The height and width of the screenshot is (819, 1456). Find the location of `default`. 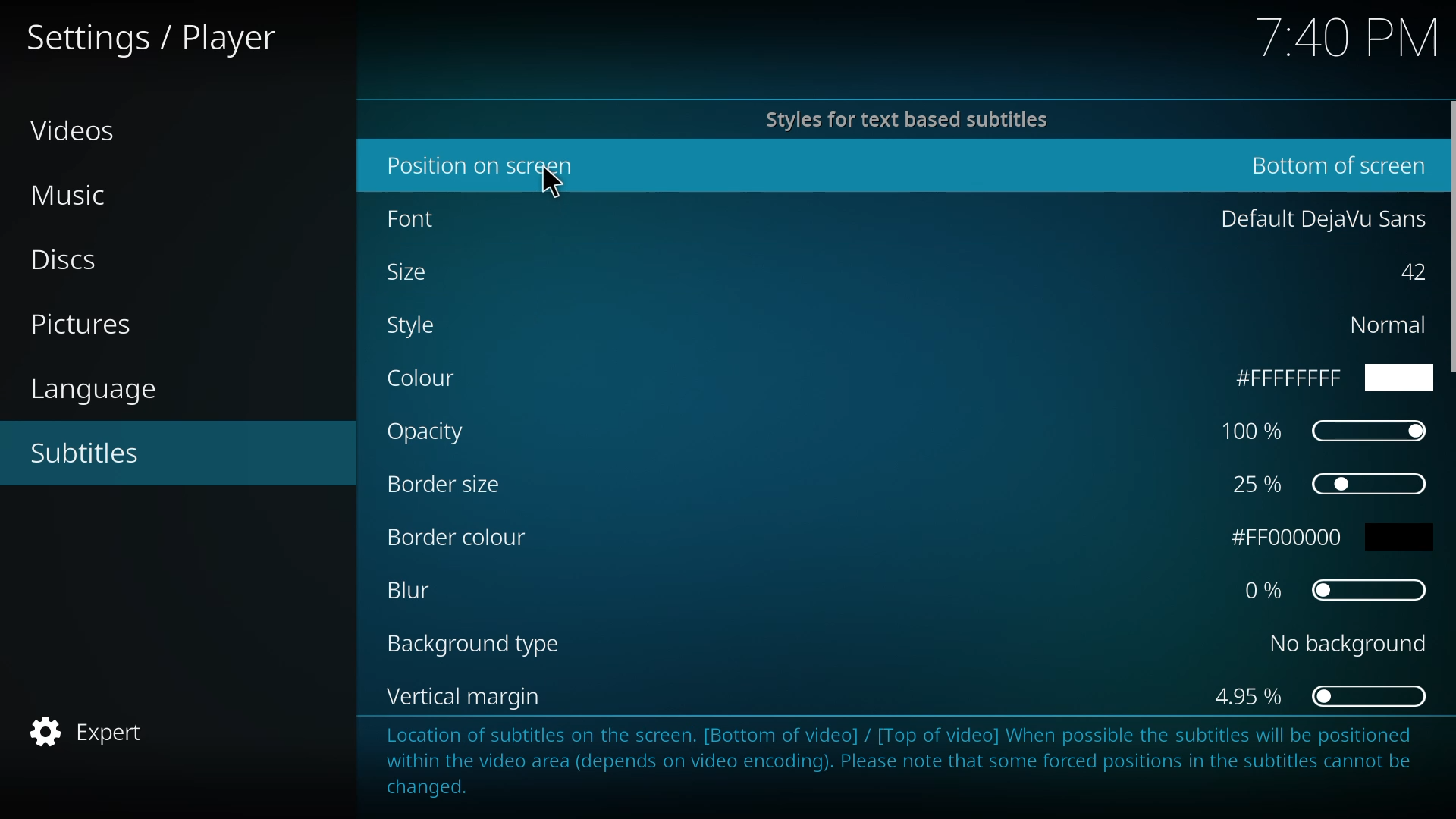

default is located at coordinates (1323, 215).